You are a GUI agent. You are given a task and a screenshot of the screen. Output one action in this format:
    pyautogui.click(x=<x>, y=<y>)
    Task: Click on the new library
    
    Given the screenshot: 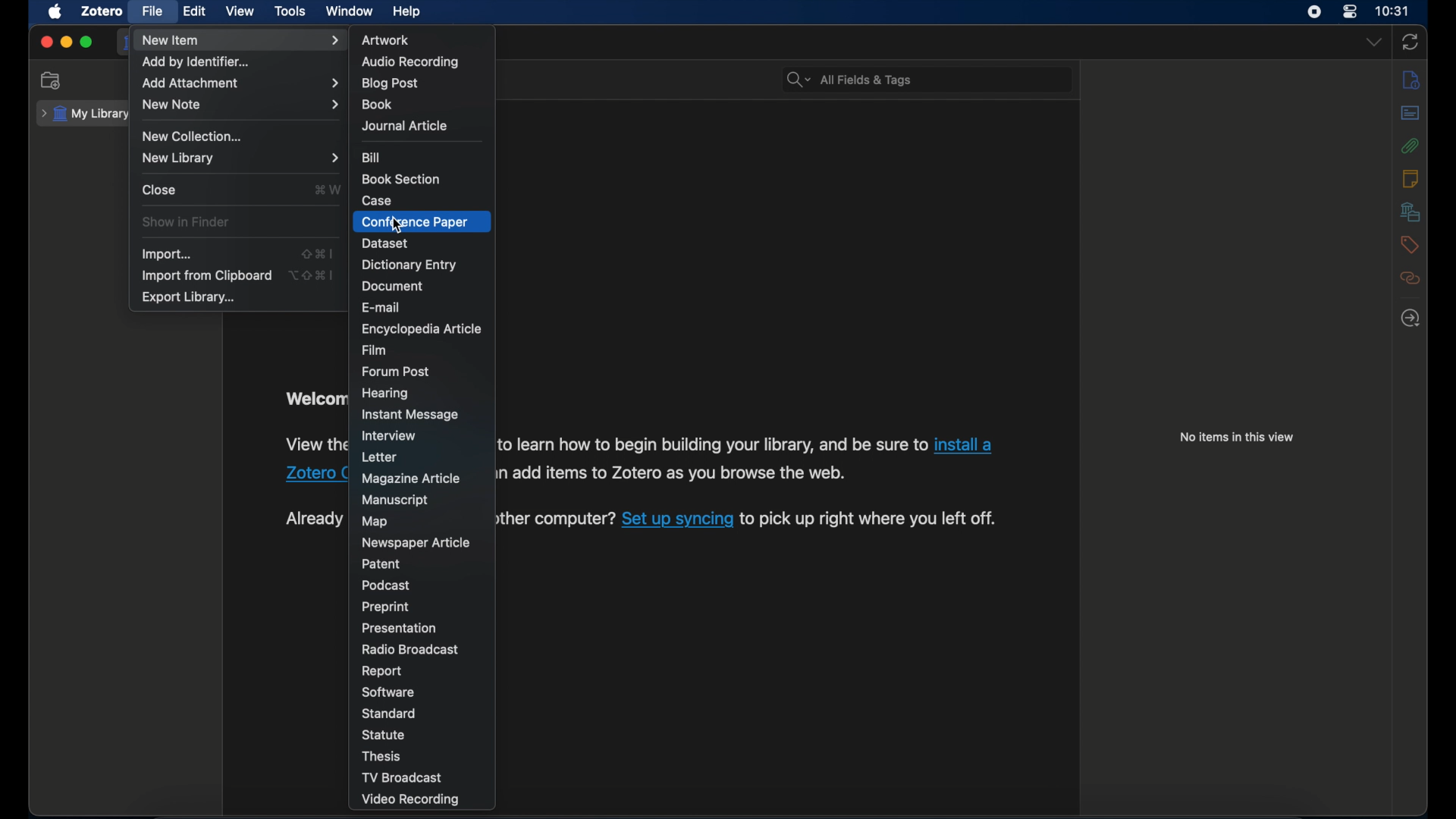 What is the action you would take?
    pyautogui.click(x=243, y=158)
    